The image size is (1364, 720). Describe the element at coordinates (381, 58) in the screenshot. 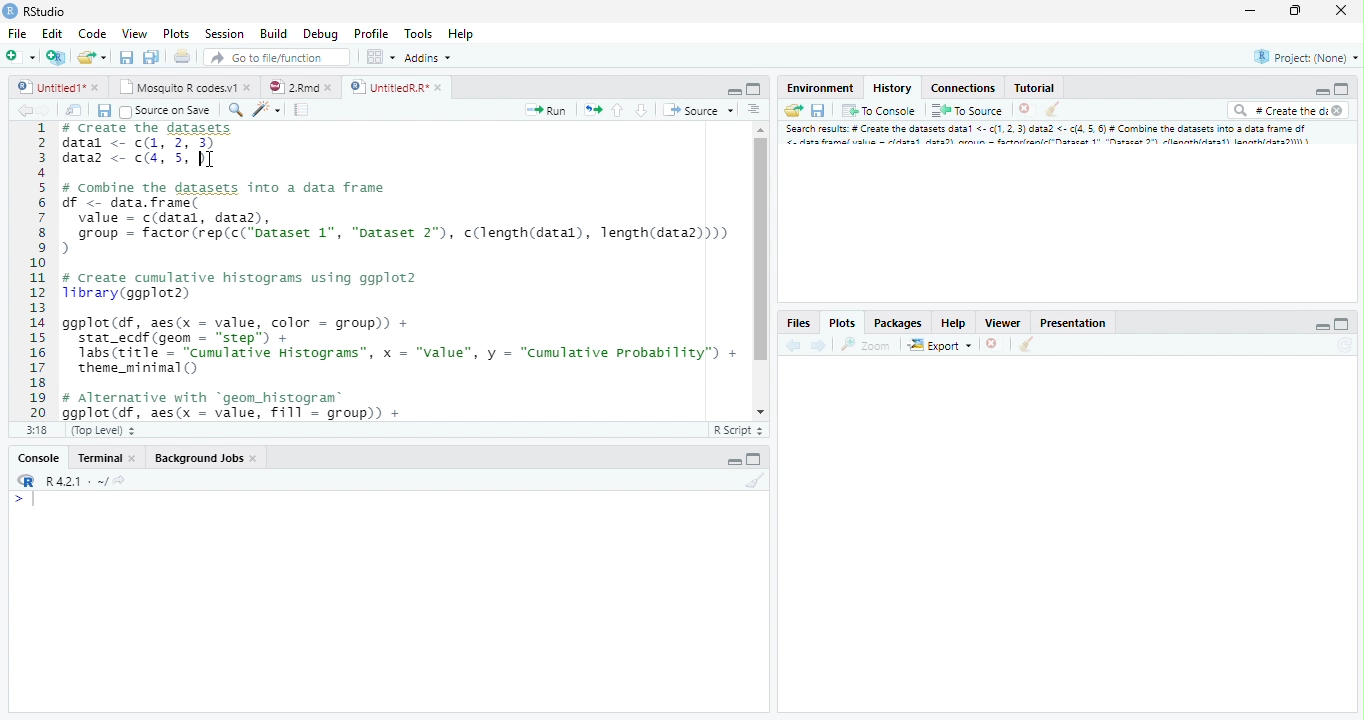

I see `Workspace pane` at that location.